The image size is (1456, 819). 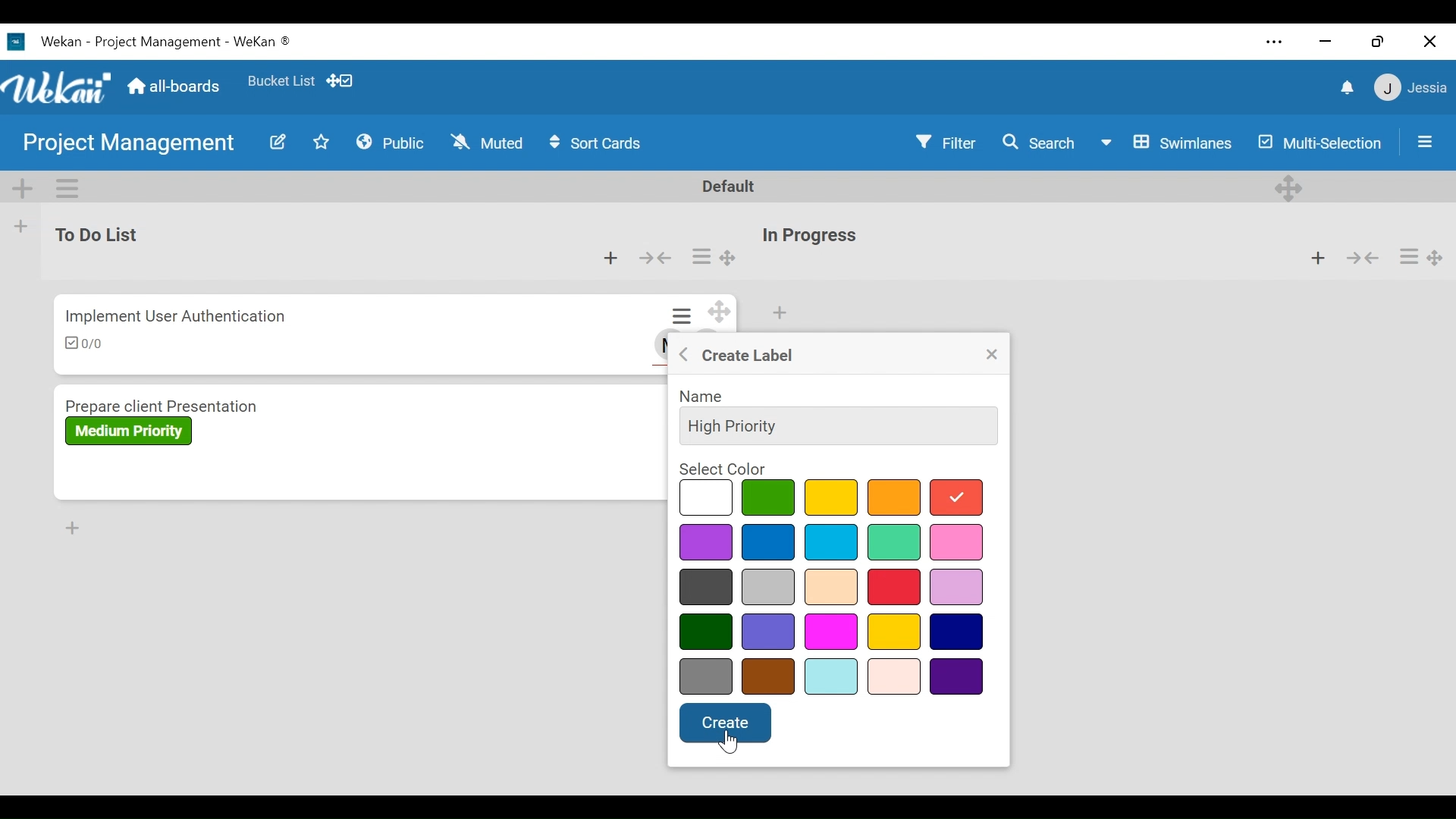 I want to click on Home (all-boards), so click(x=172, y=86).